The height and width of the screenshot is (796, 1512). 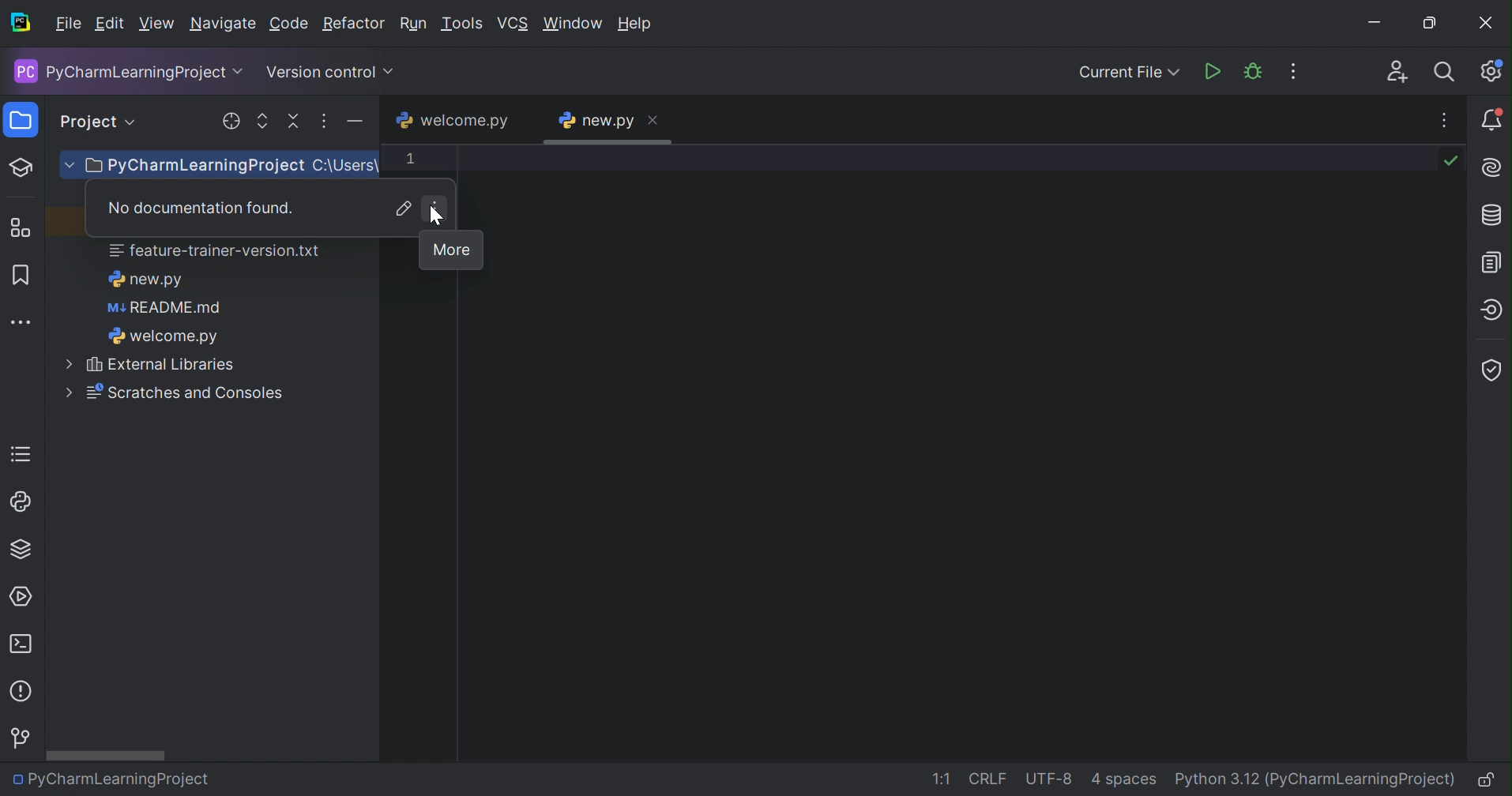 I want to click on External Libraries, so click(x=149, y=365).